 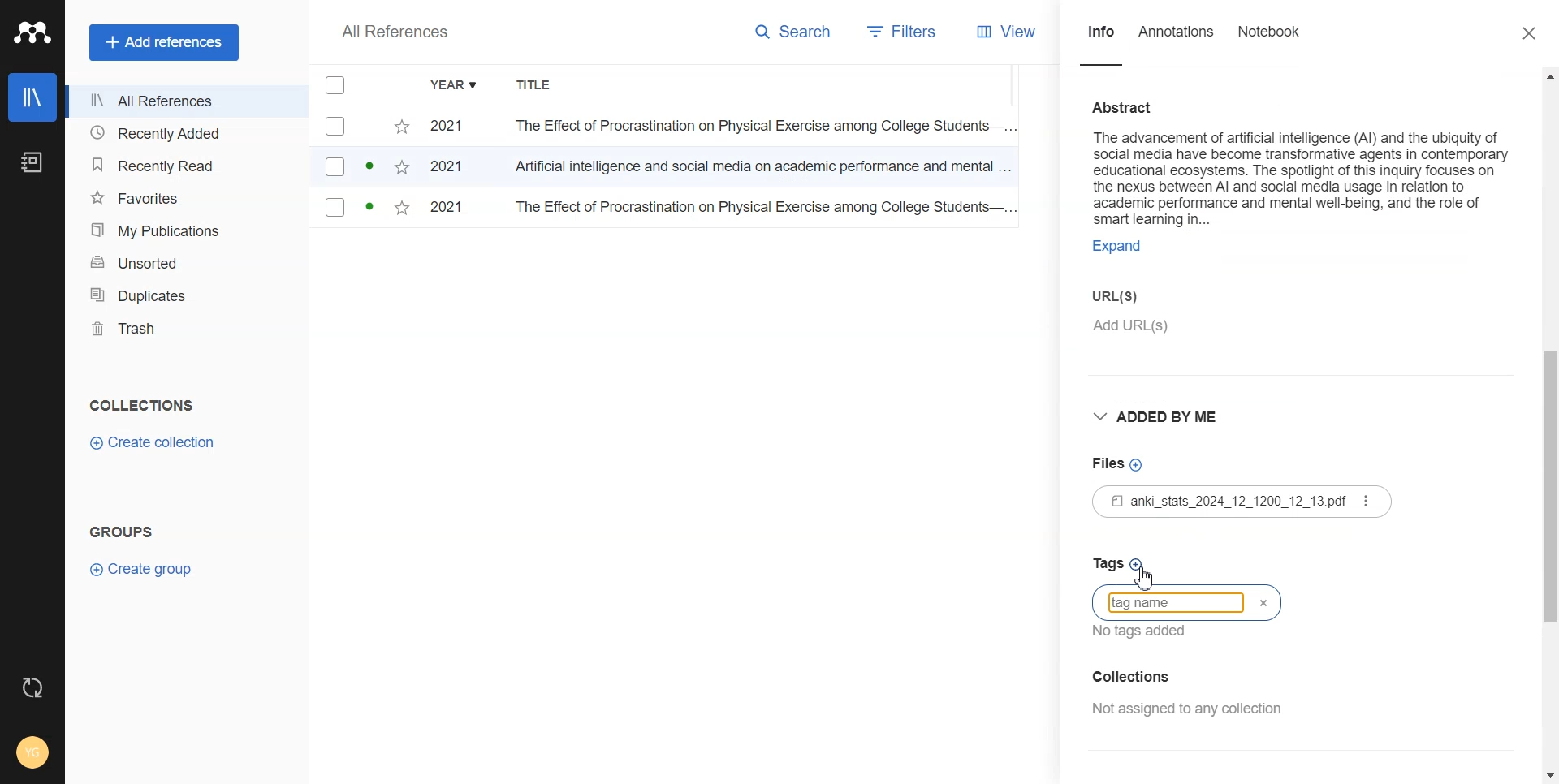 What do you see at coordinates (395, 32) in the screenshot?
I see `All References` at bounding box center [395, 32].